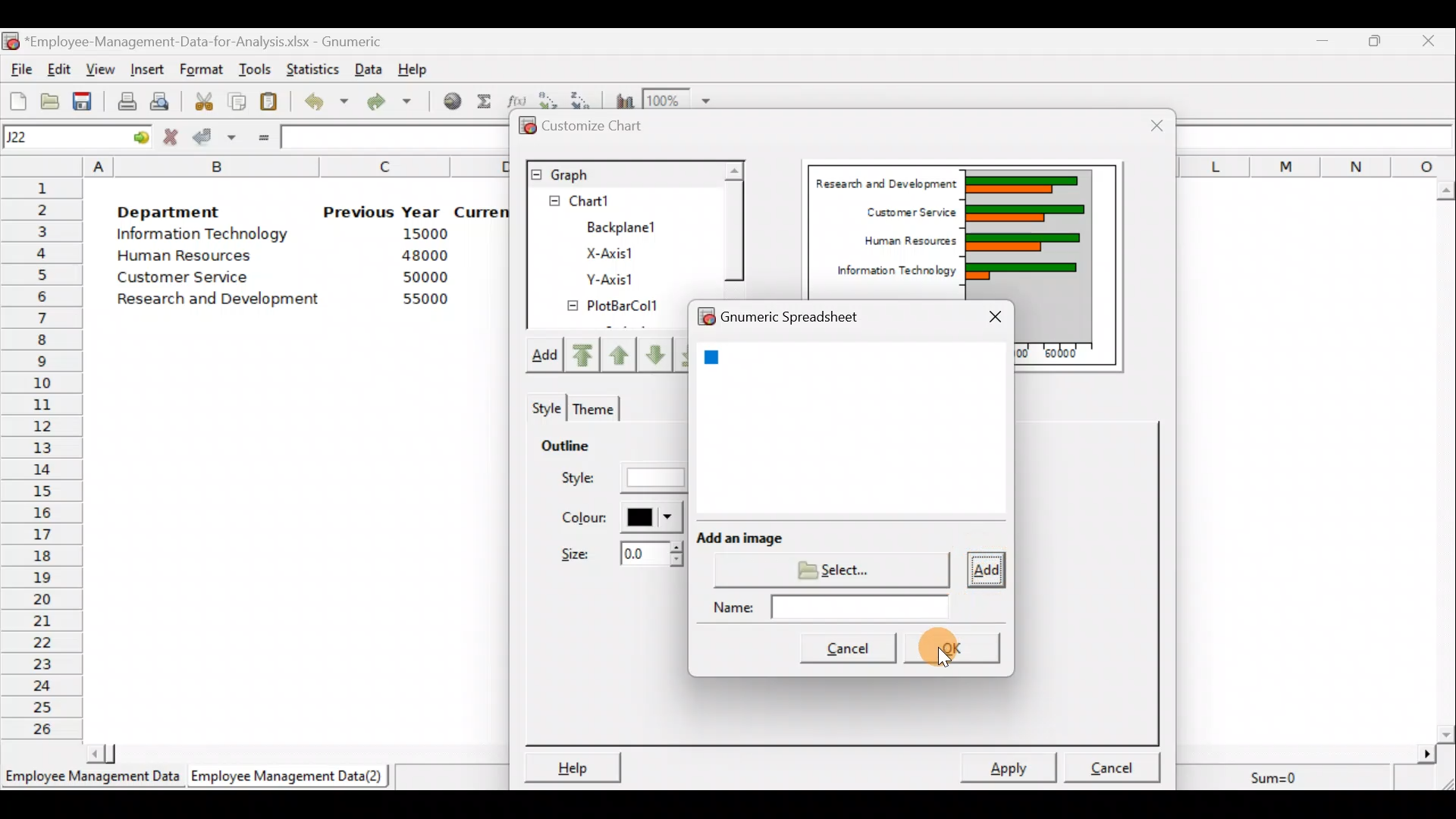 Image resolution: width=1456 pixels, height=819 pixels. What do you see at coordinates (19, 69) in the screenshot?
I see `File` at bounding box center [19, 69].